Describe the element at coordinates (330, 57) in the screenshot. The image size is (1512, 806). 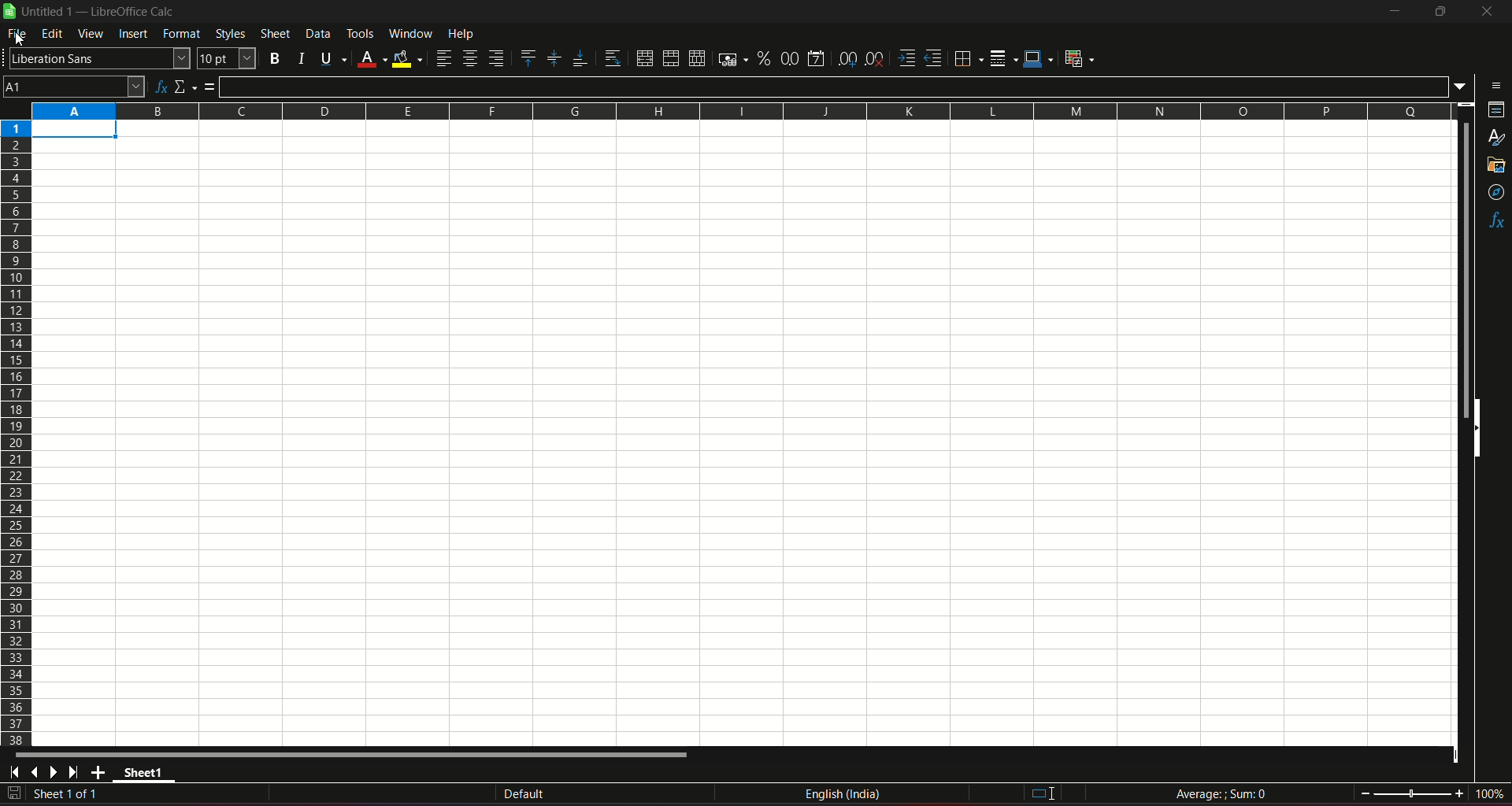
I see `underline` at that location.